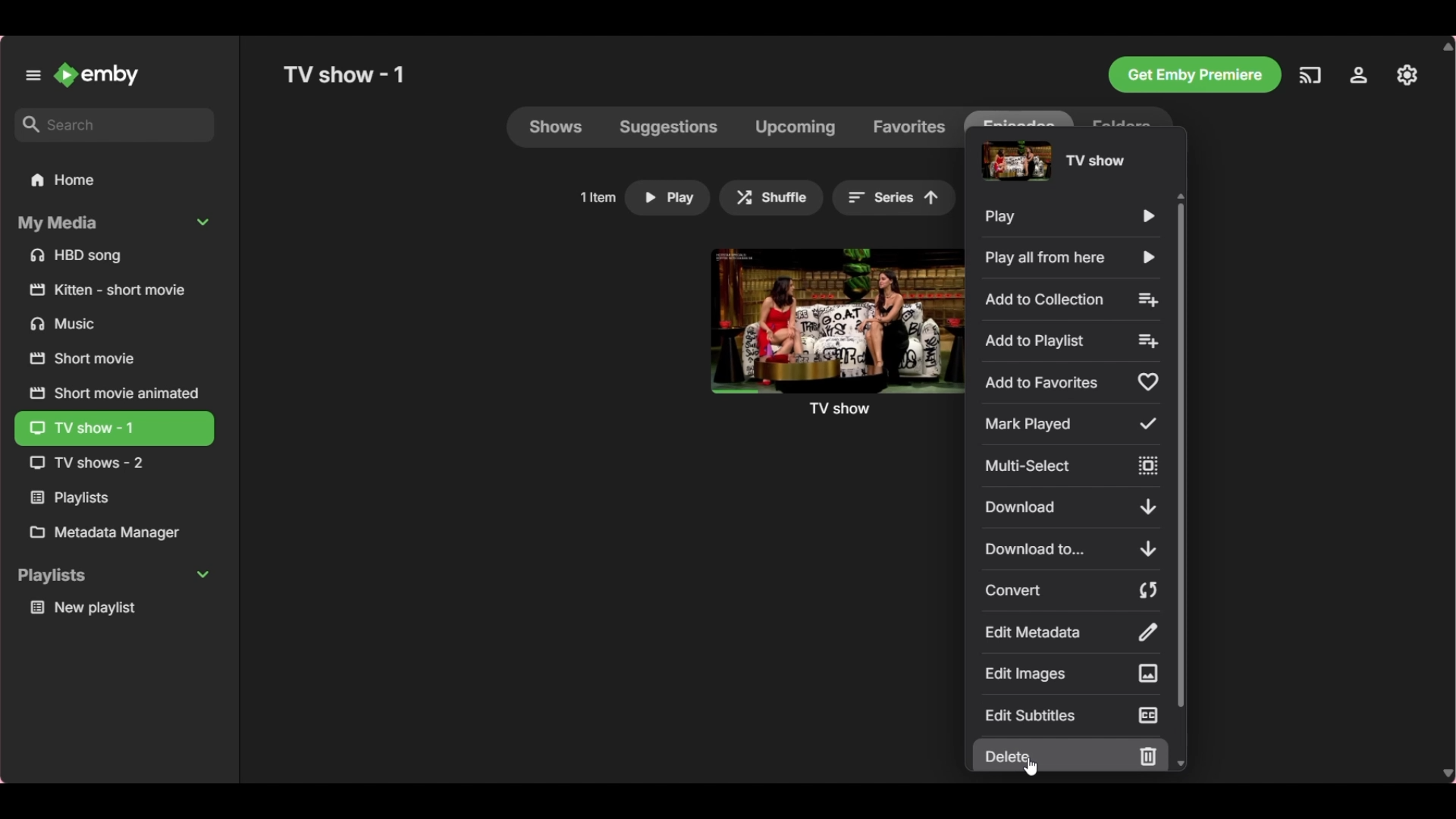  I want to click on Current sorting changed, so click(895, 197).